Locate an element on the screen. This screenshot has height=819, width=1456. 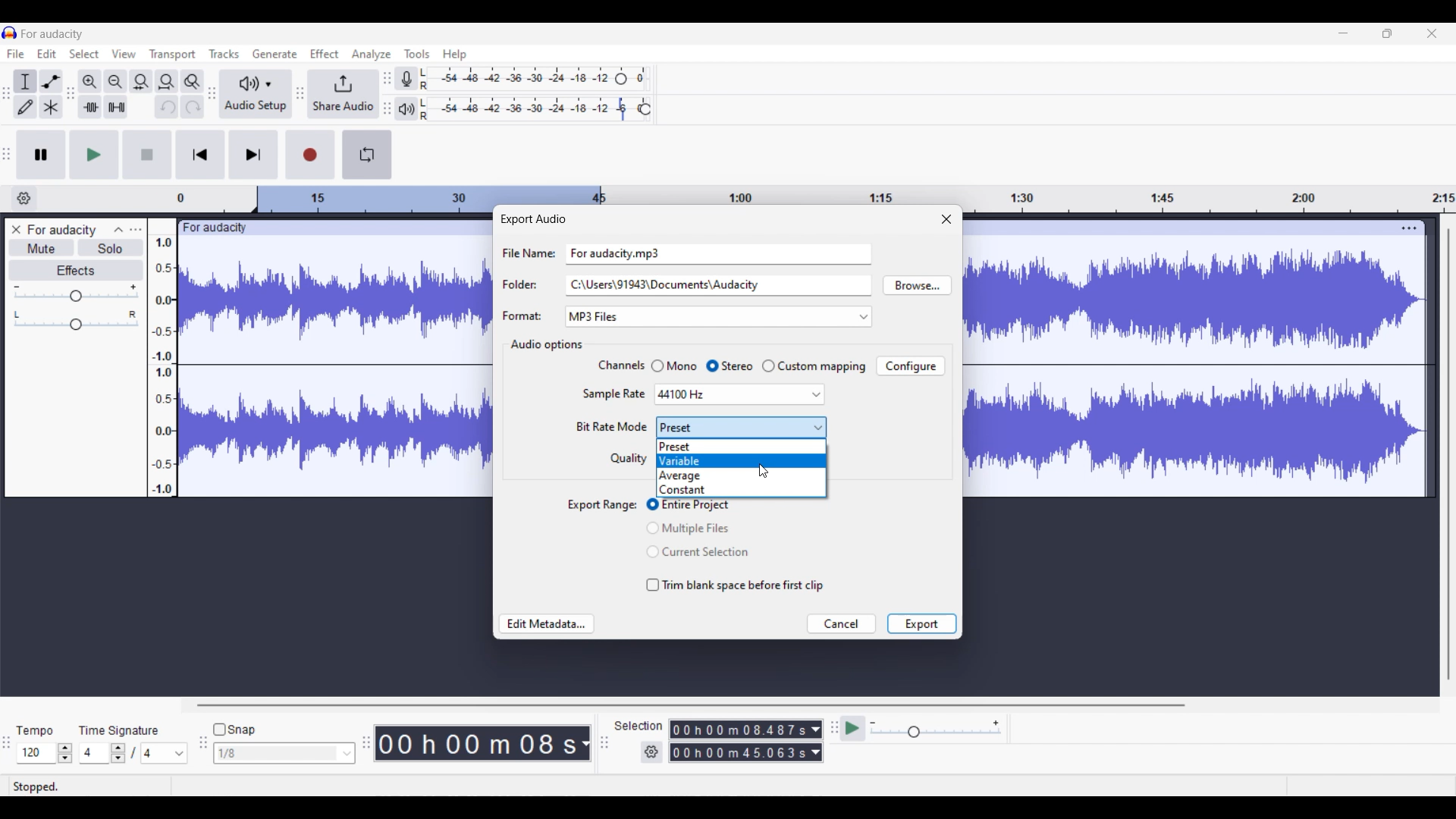
Timeline options is located at coordinates (24, 199).